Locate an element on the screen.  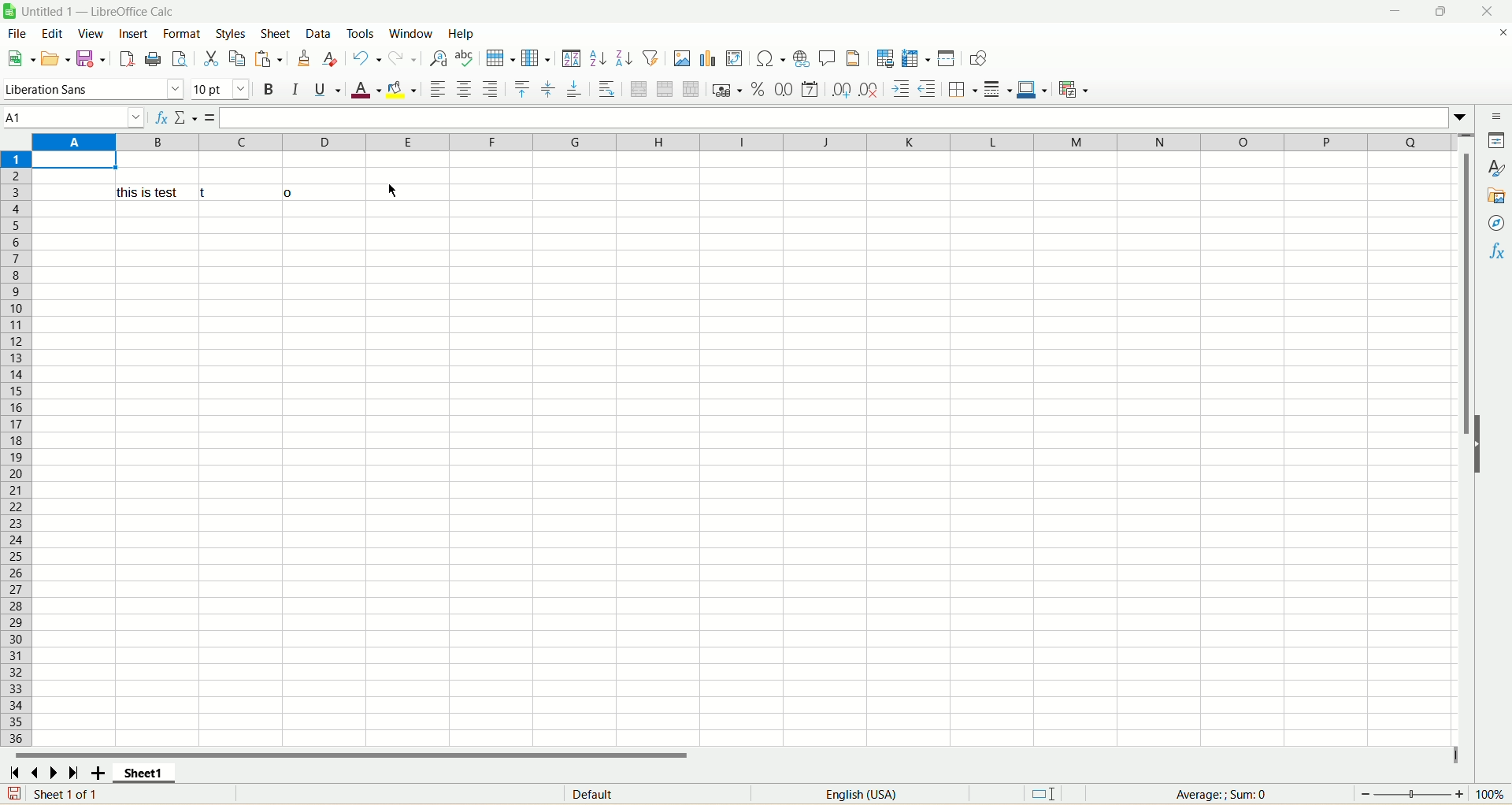
undo is located at coordinates (367, 58).